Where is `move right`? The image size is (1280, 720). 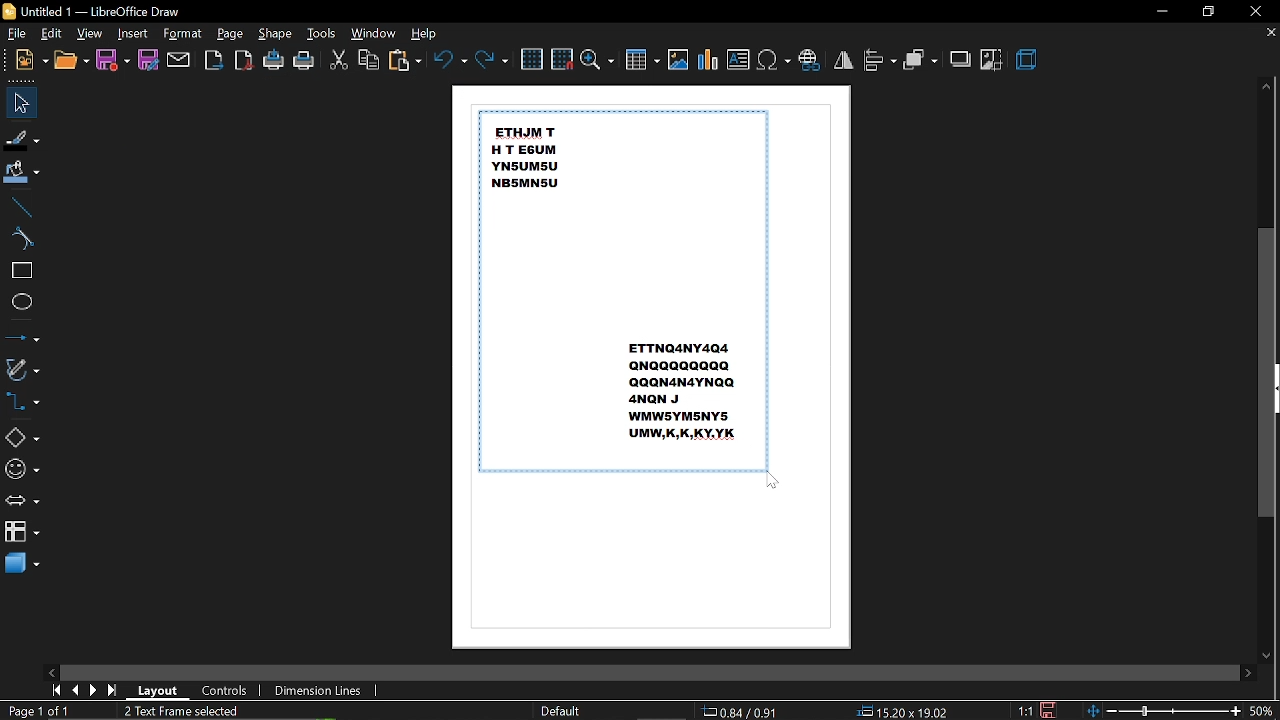
move right is located at coordinates (1247, 672).